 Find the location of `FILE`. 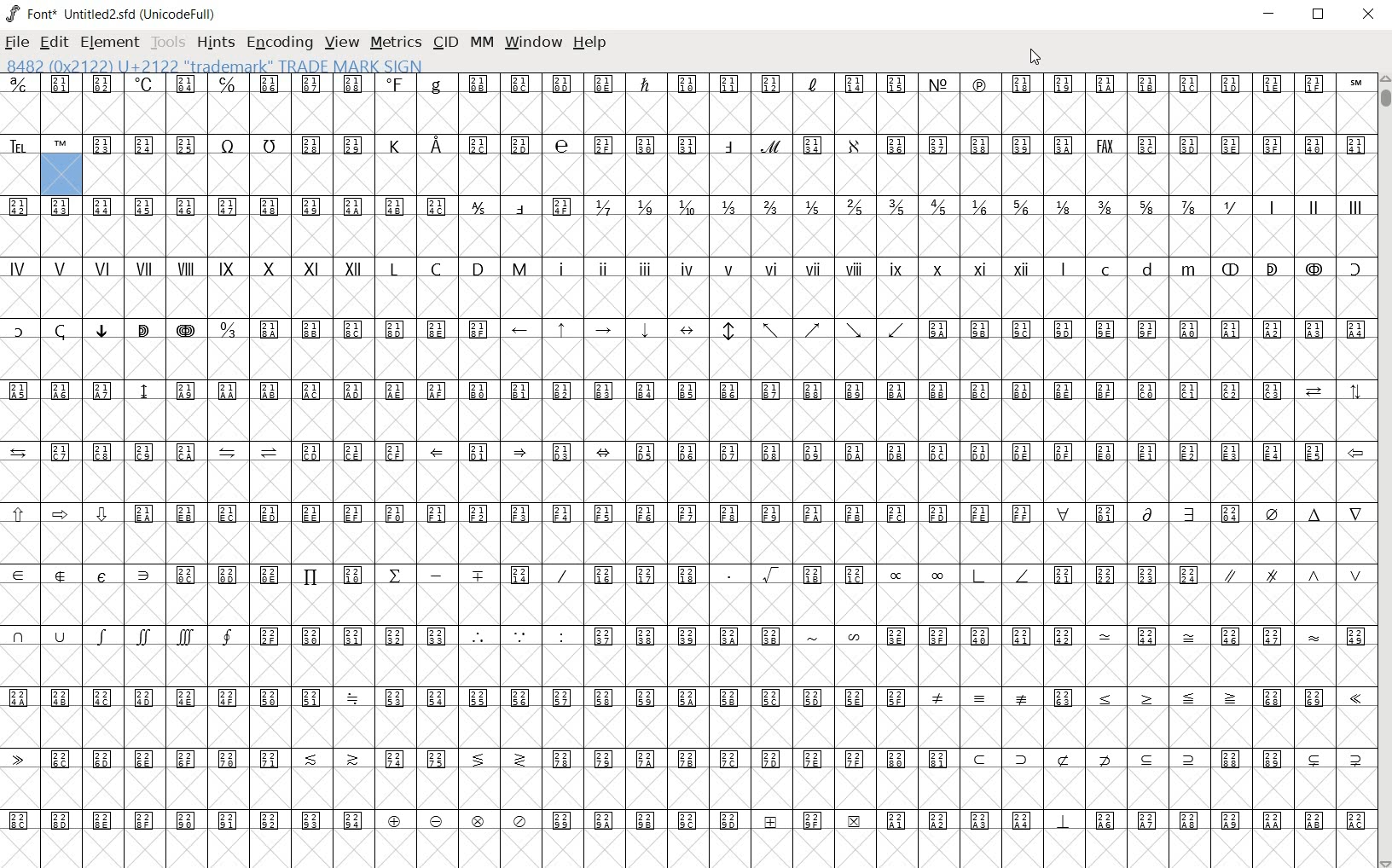

FILE is located at coordinates (17, 43).